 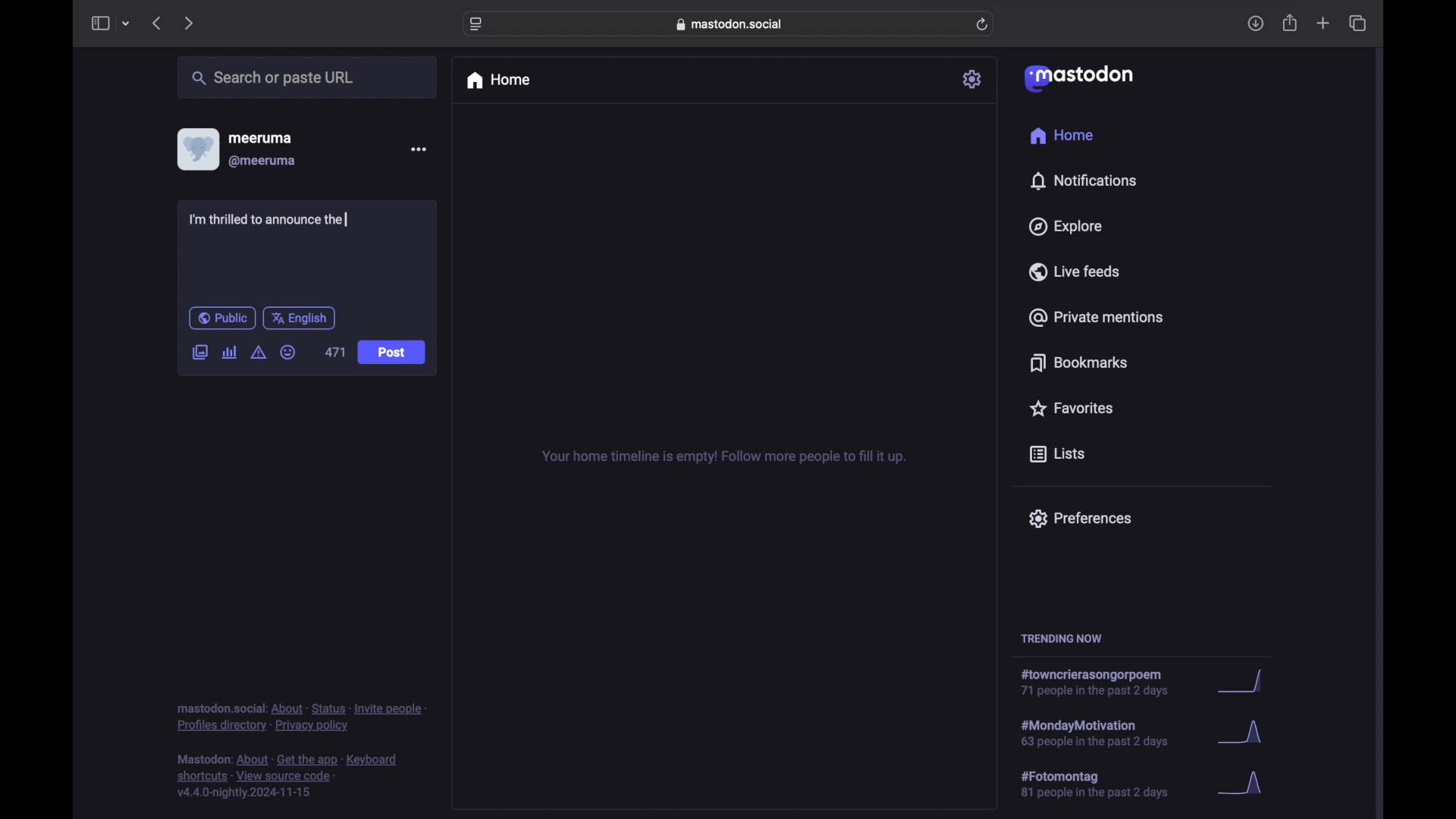 I want to click on website settings, so click(x=476, y=25).